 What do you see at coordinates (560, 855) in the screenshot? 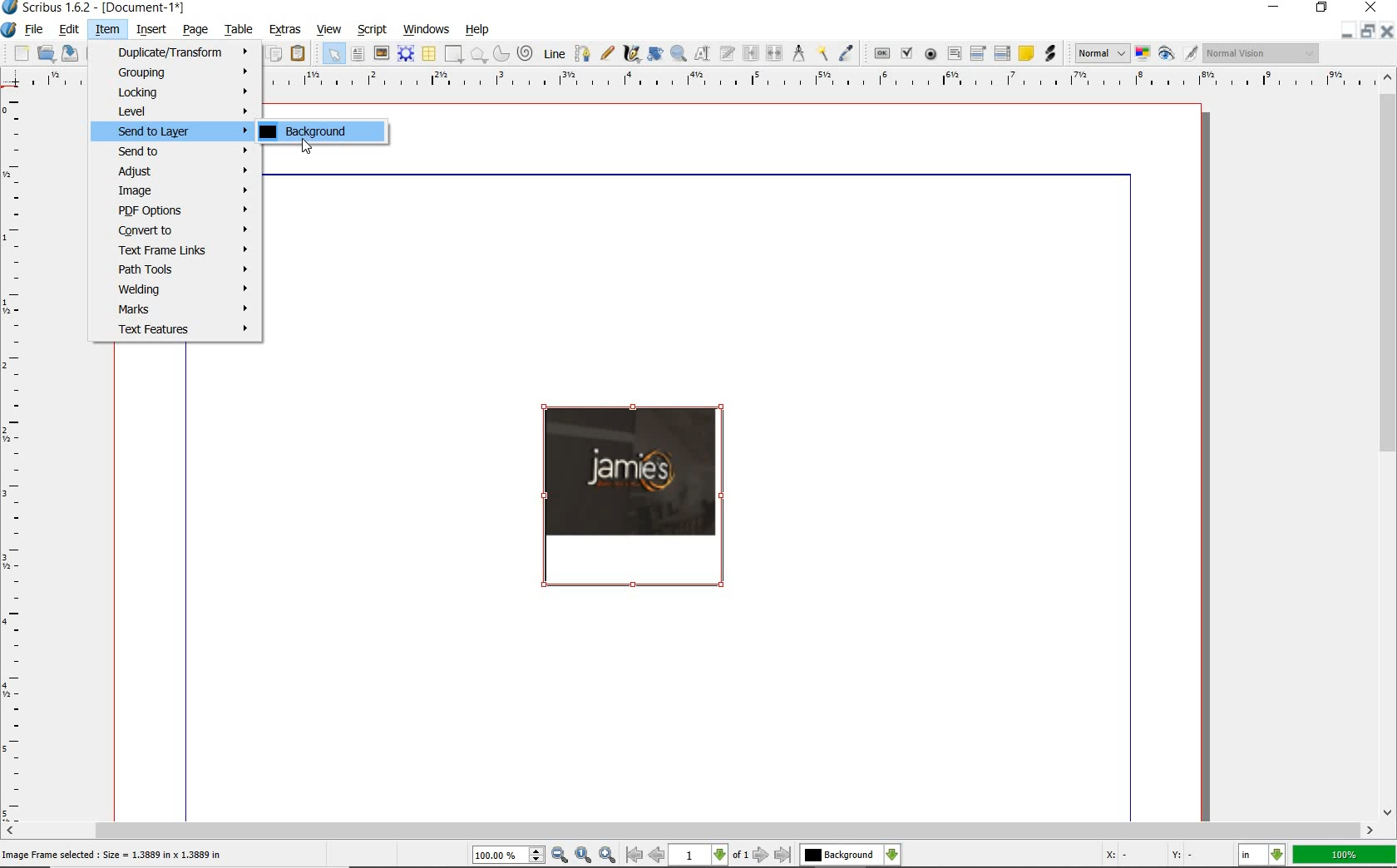
I see `Zoom Out` at bounding box center [560, 855].